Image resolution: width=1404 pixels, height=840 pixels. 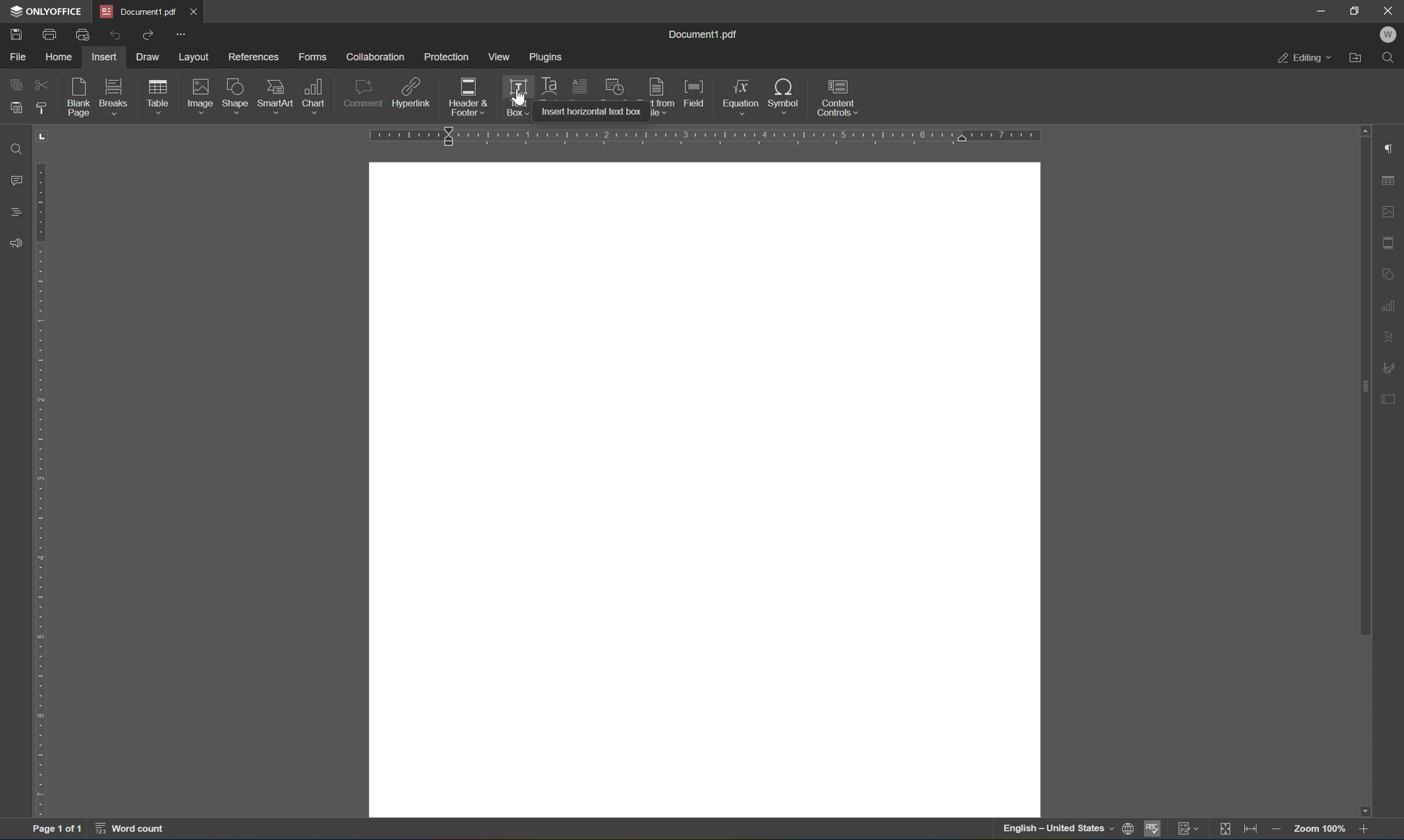 I want to click on hyperlink, so click(x=412, y=95).